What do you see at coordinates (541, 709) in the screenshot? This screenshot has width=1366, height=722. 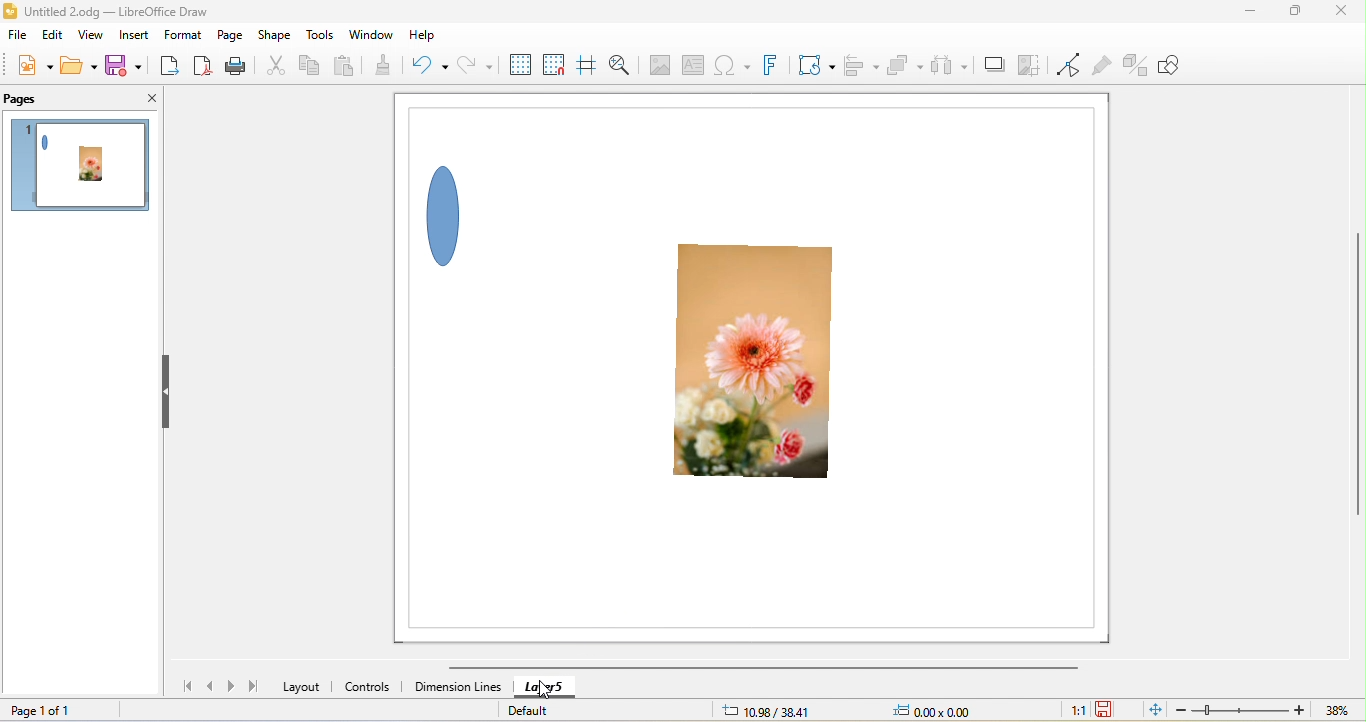 I see `default` at bounding box center [541, 709].